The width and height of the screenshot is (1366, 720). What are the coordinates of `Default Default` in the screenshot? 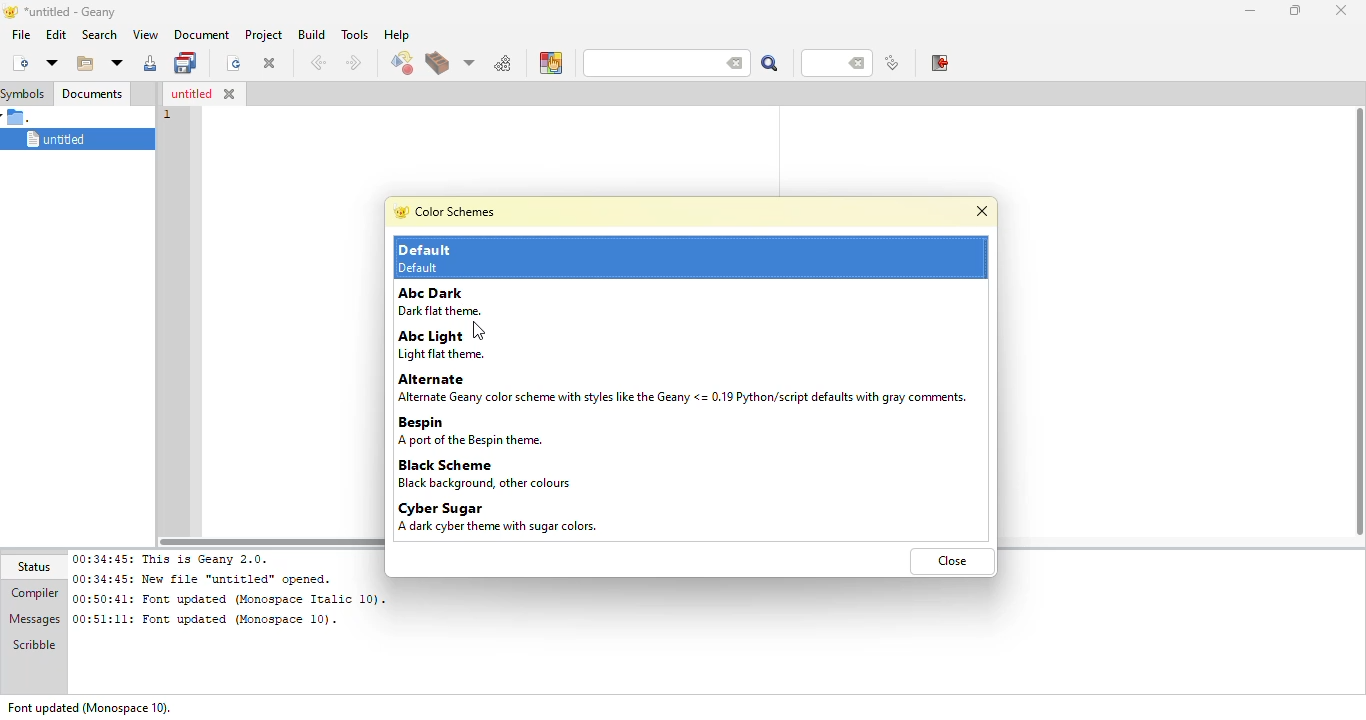 It's located at (472, 258).